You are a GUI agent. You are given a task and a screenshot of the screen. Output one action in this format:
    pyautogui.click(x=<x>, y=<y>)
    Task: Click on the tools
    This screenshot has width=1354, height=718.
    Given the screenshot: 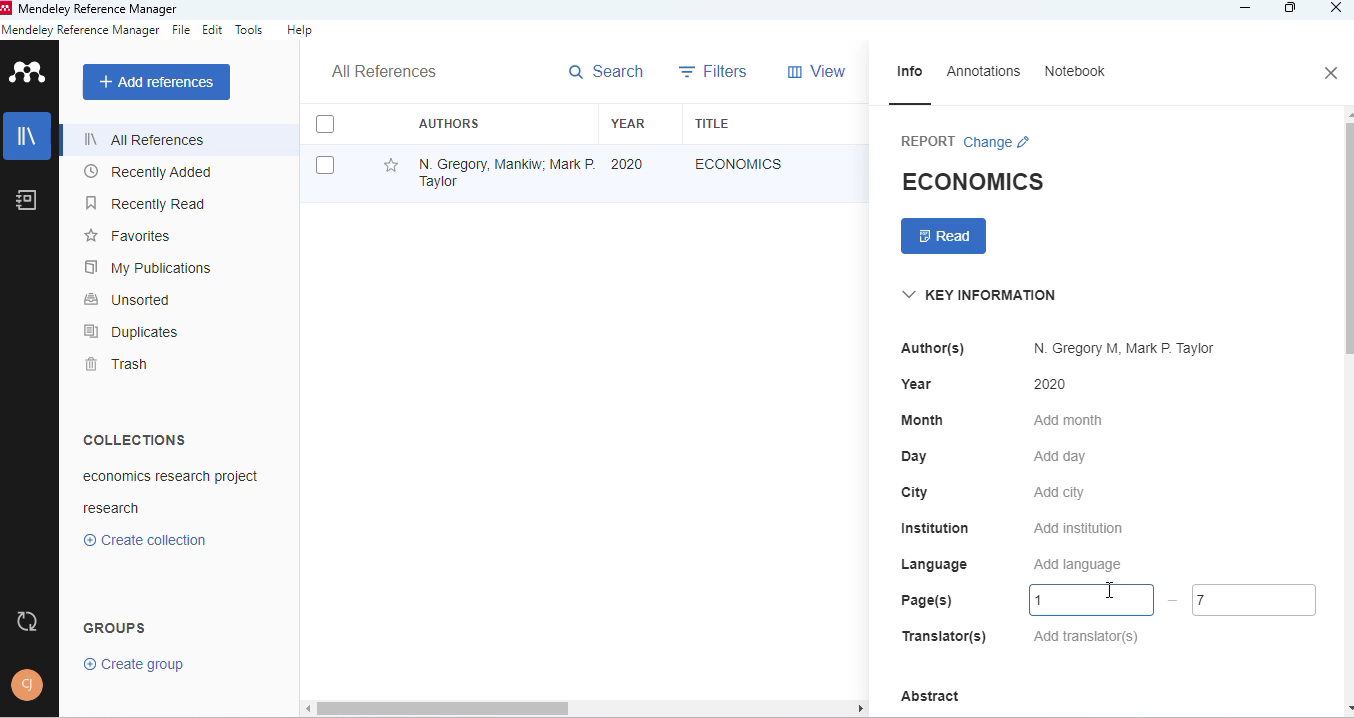 What is the action you would take?
    pyautogui.click(x=250, y=30)
    